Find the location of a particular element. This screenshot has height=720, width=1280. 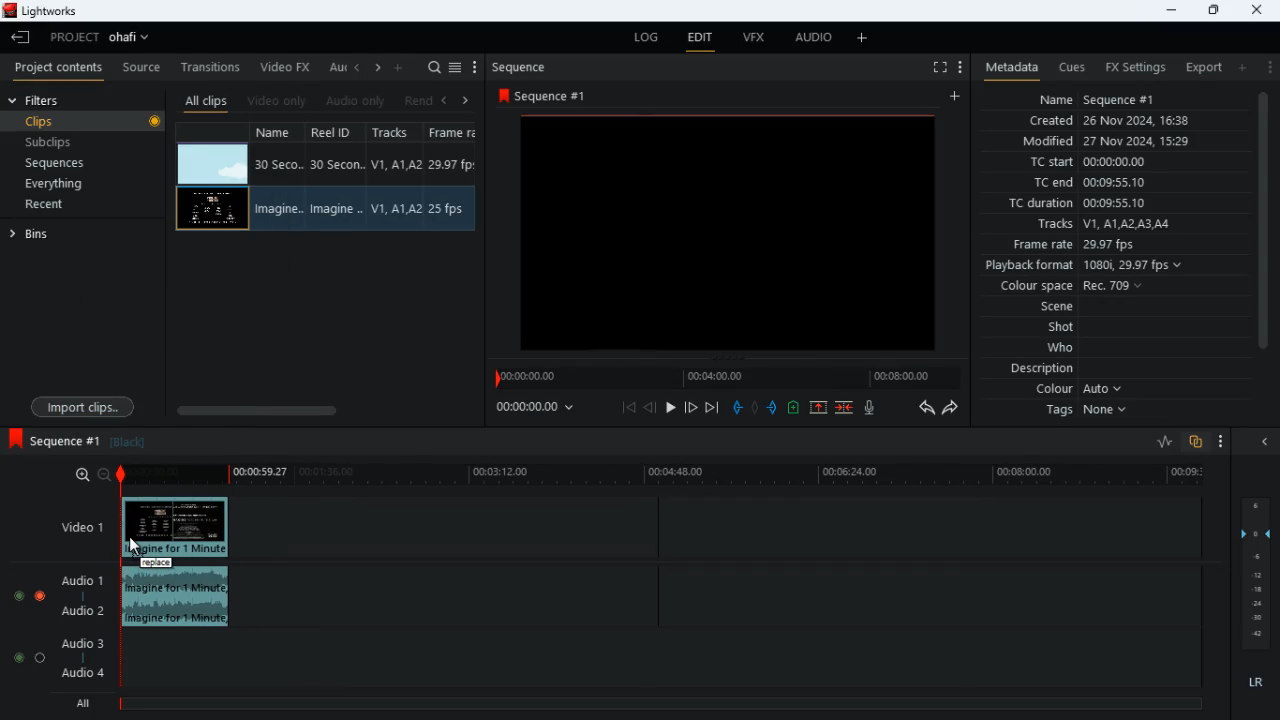

more is located at coordinates (1222, 443).